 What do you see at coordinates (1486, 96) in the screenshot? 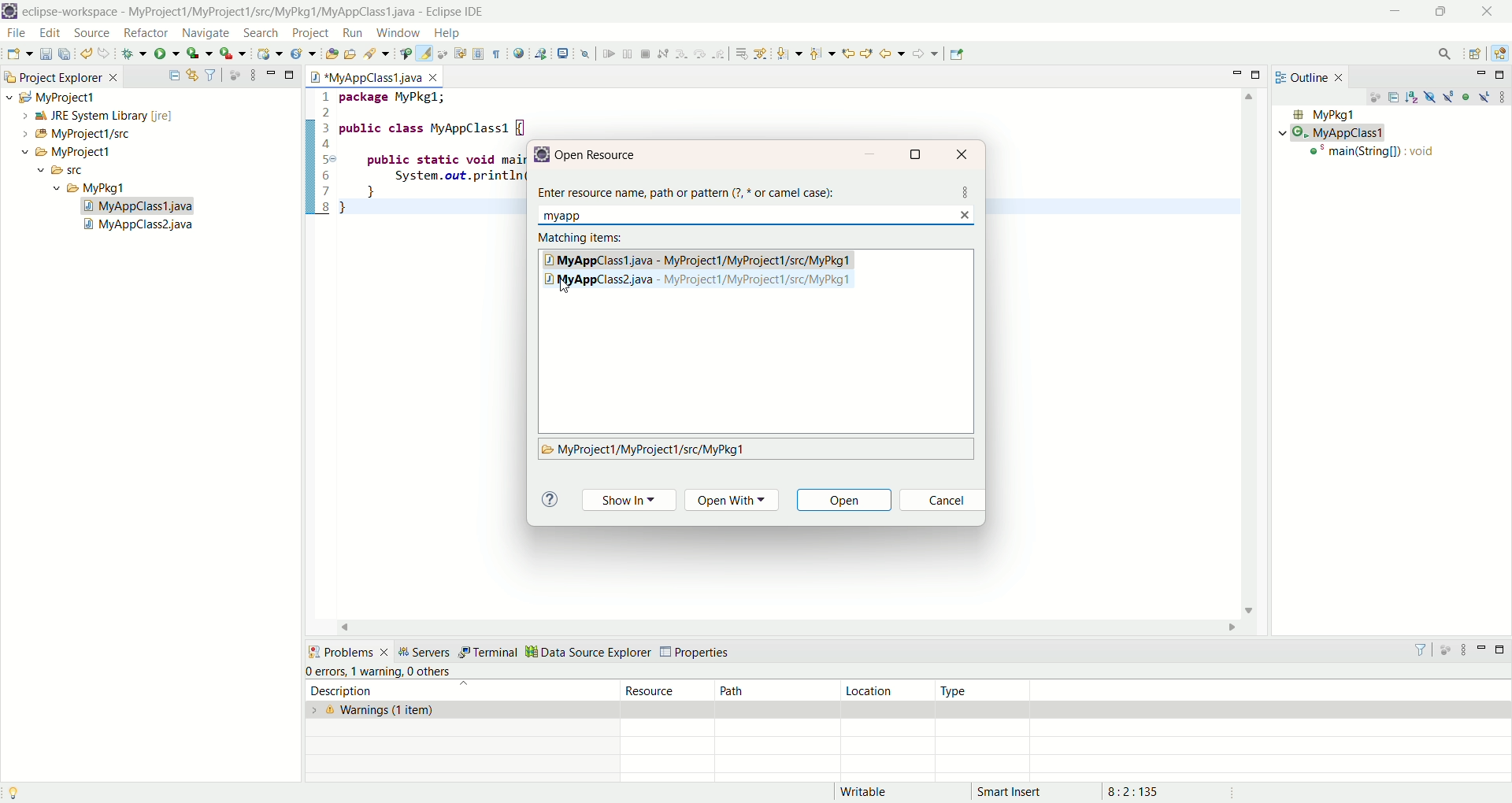
I see `hide local type` at bounding box center [1486, 96].